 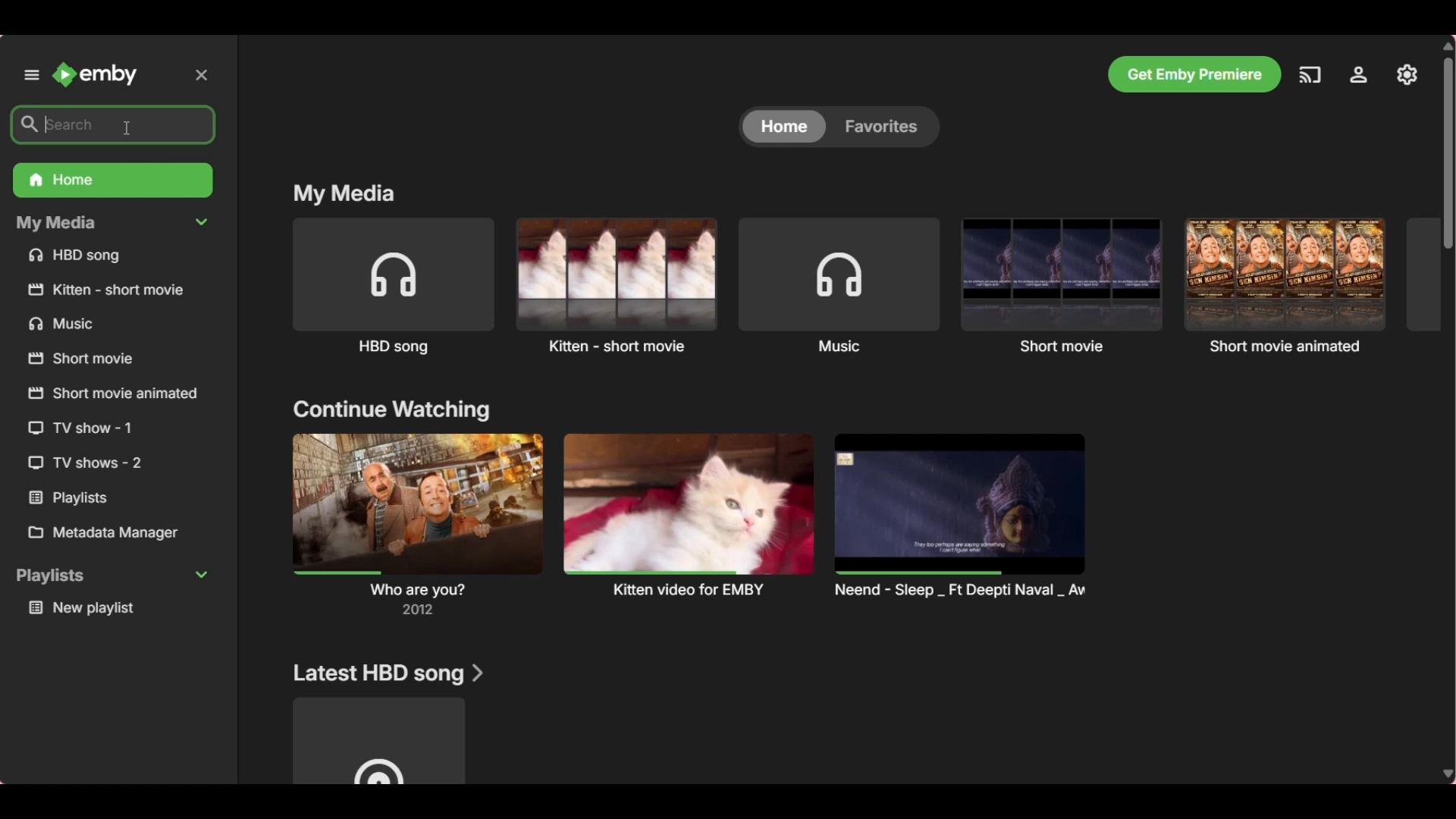 What do you see at coordinates (839, 286) in the screenshot?
I see `Music` at bounding box center [839, 286].